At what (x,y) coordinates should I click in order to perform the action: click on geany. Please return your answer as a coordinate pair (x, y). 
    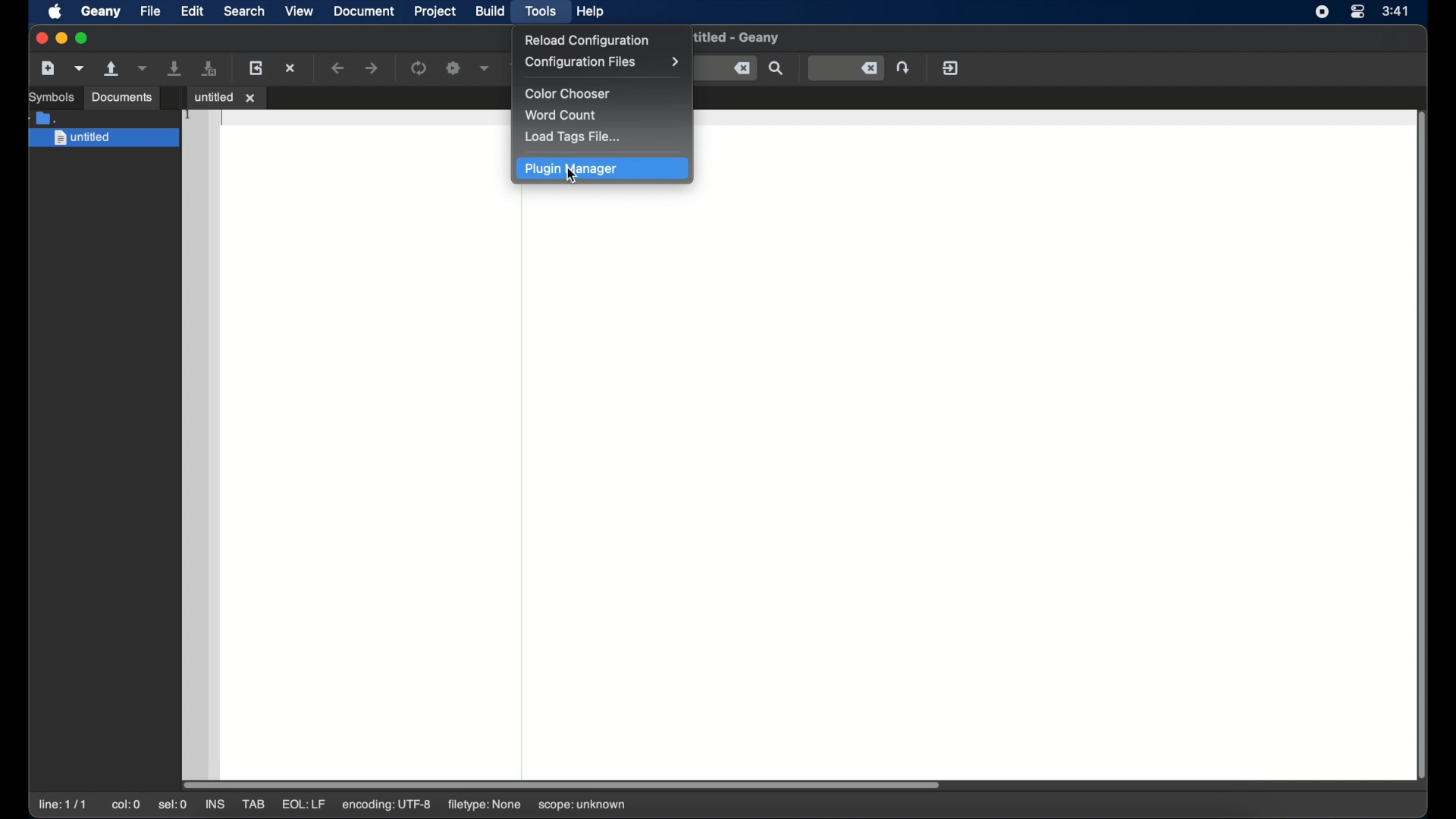
    Looking at the image, I should click on (99, 11).